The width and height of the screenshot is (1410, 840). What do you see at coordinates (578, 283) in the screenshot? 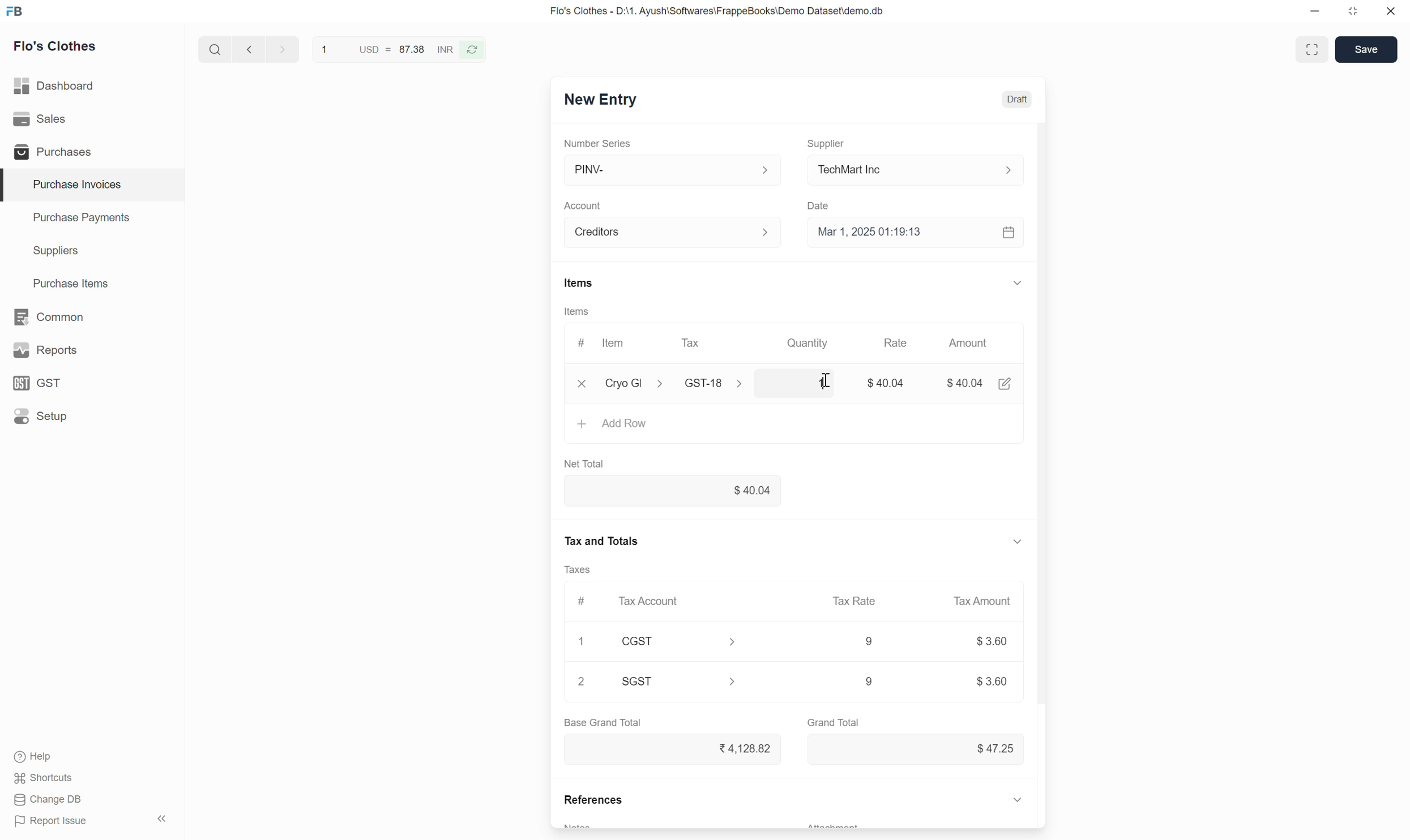
I see `Items` at bounding box center [578, 283].